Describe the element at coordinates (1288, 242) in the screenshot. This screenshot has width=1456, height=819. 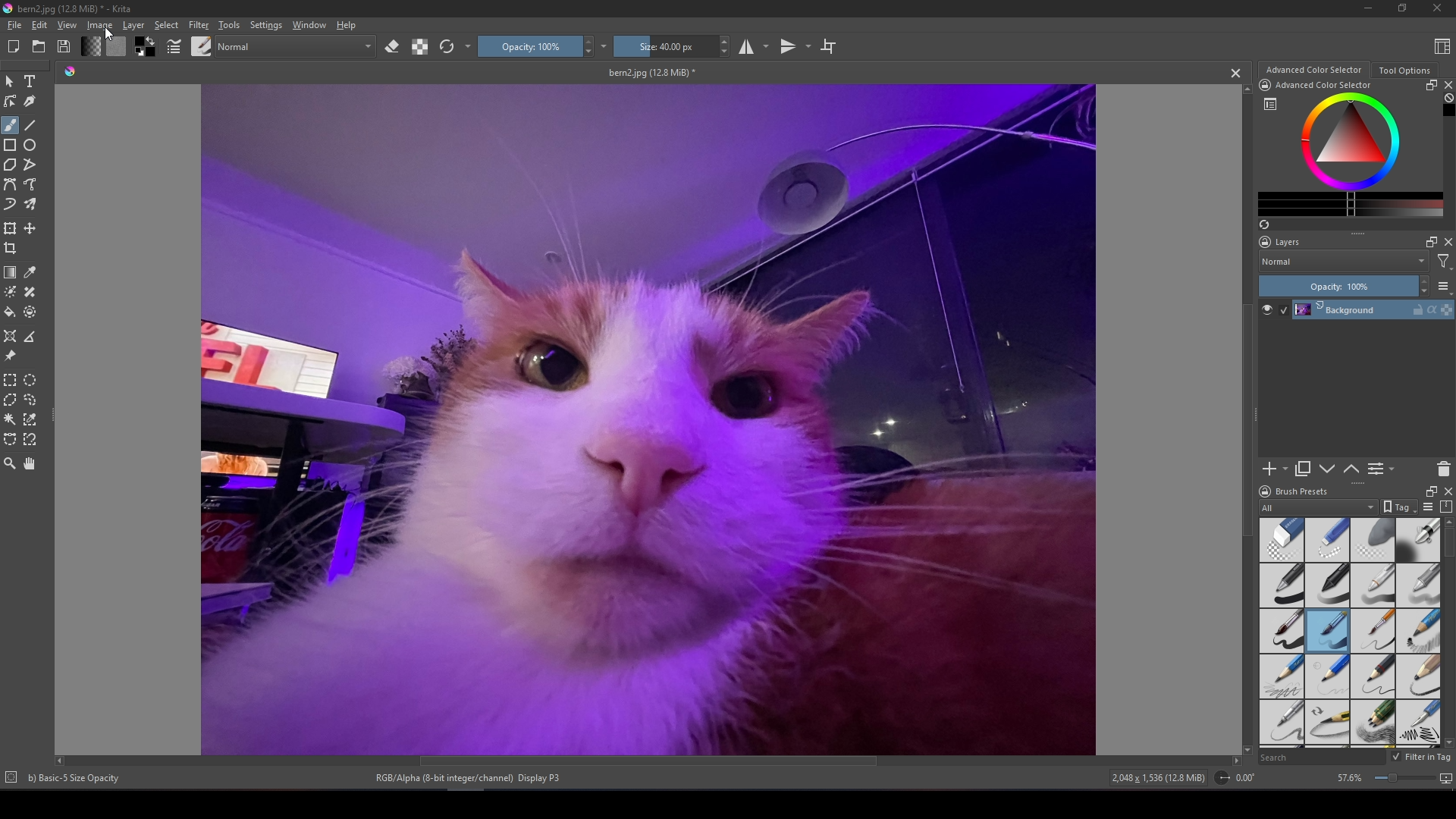
I see `Layers` at that location.